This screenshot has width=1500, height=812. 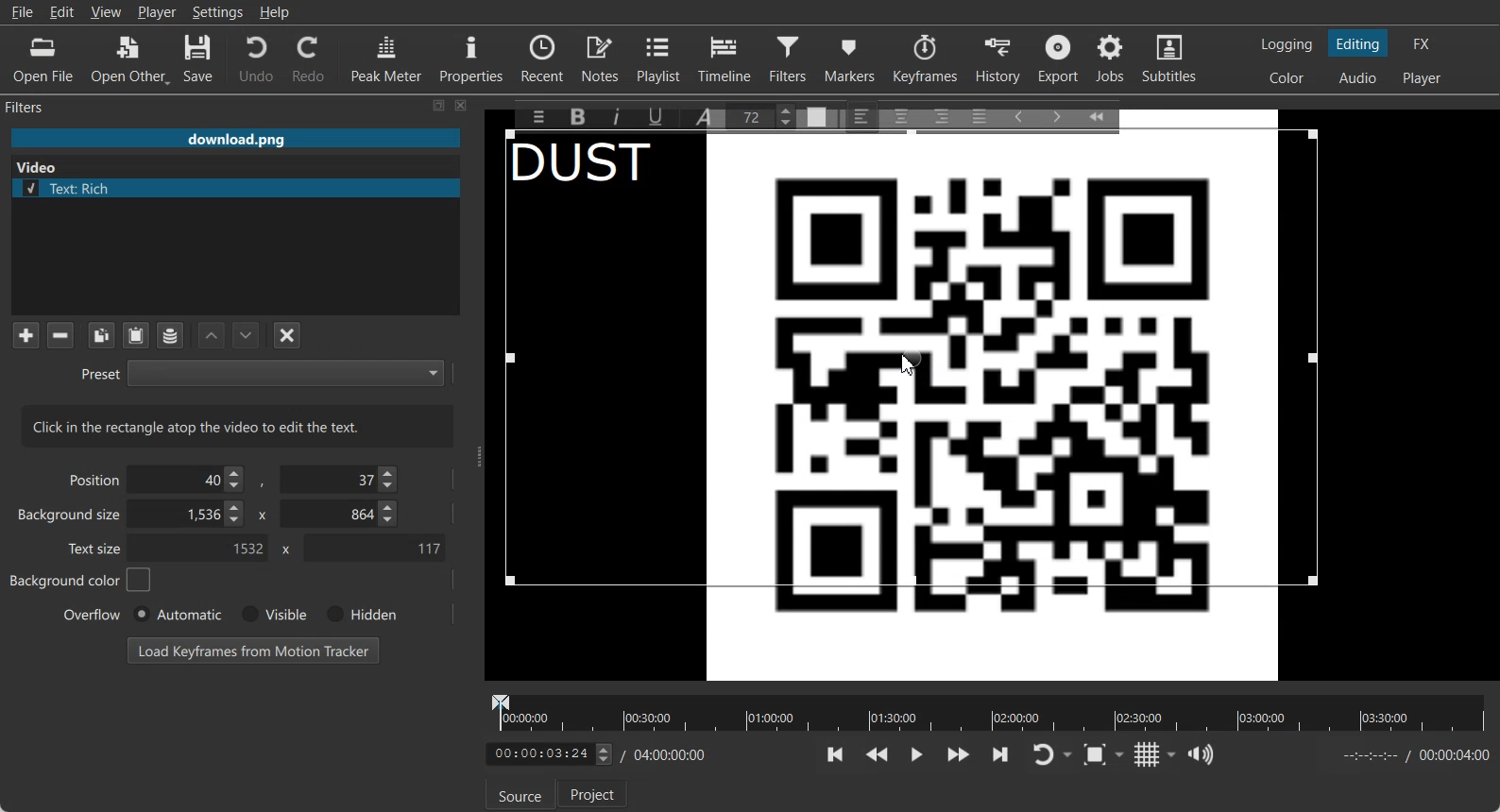 I want to click on Font, so click(x=707, y=115).